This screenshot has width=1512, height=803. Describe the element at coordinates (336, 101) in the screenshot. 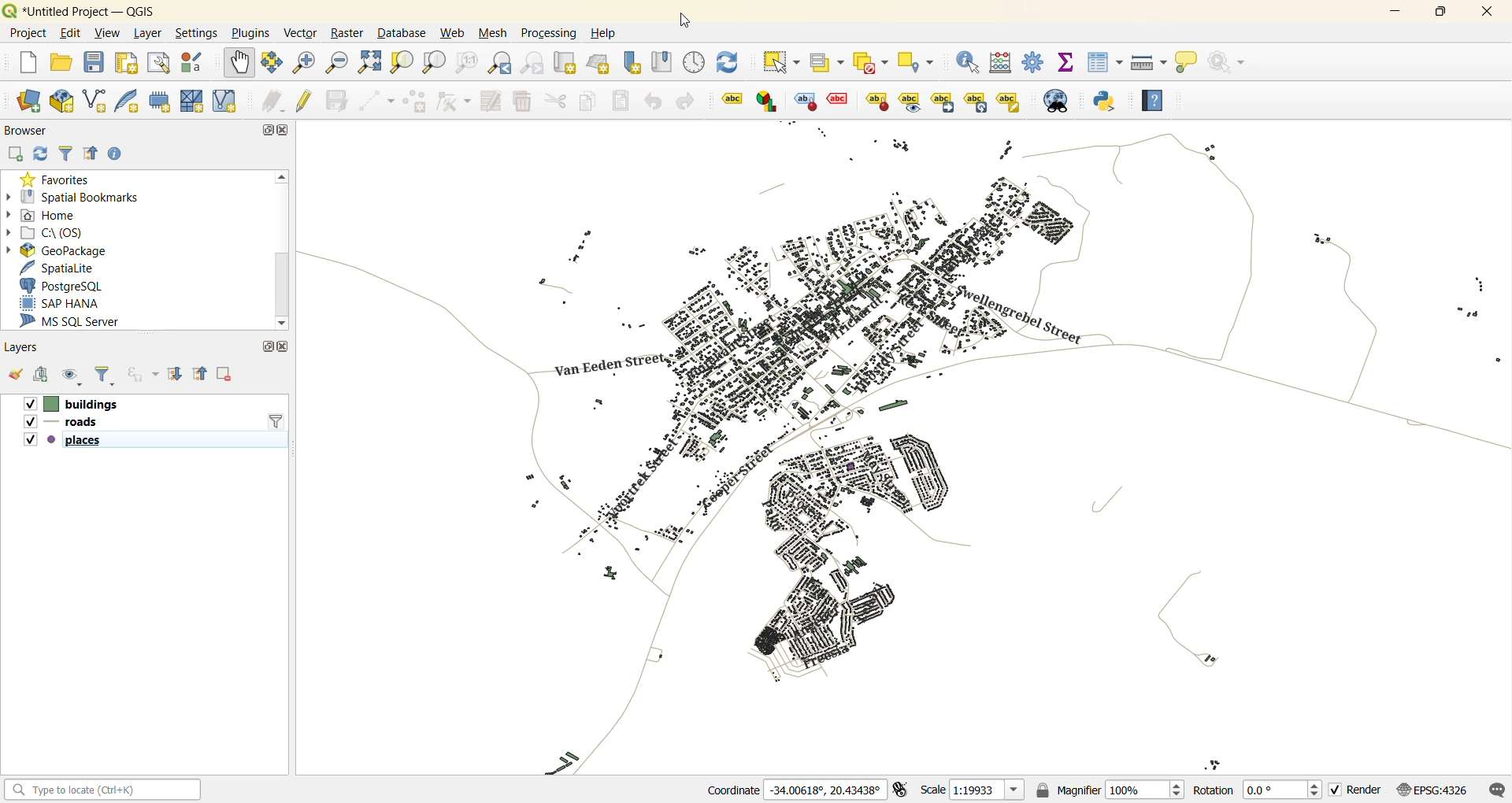

I see `save edits` at that location.